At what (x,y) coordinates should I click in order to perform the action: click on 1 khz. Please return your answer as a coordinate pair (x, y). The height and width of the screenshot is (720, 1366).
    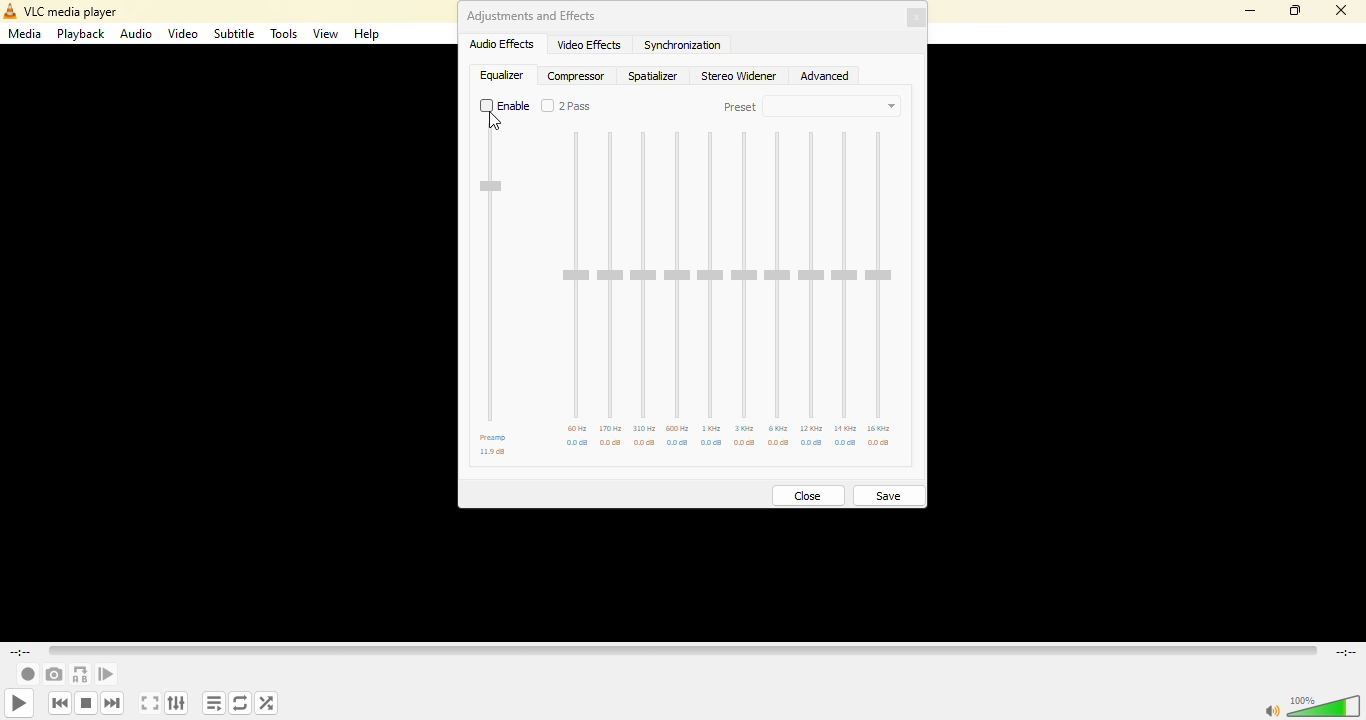
    Looking at the image, I should click on (712, 428).